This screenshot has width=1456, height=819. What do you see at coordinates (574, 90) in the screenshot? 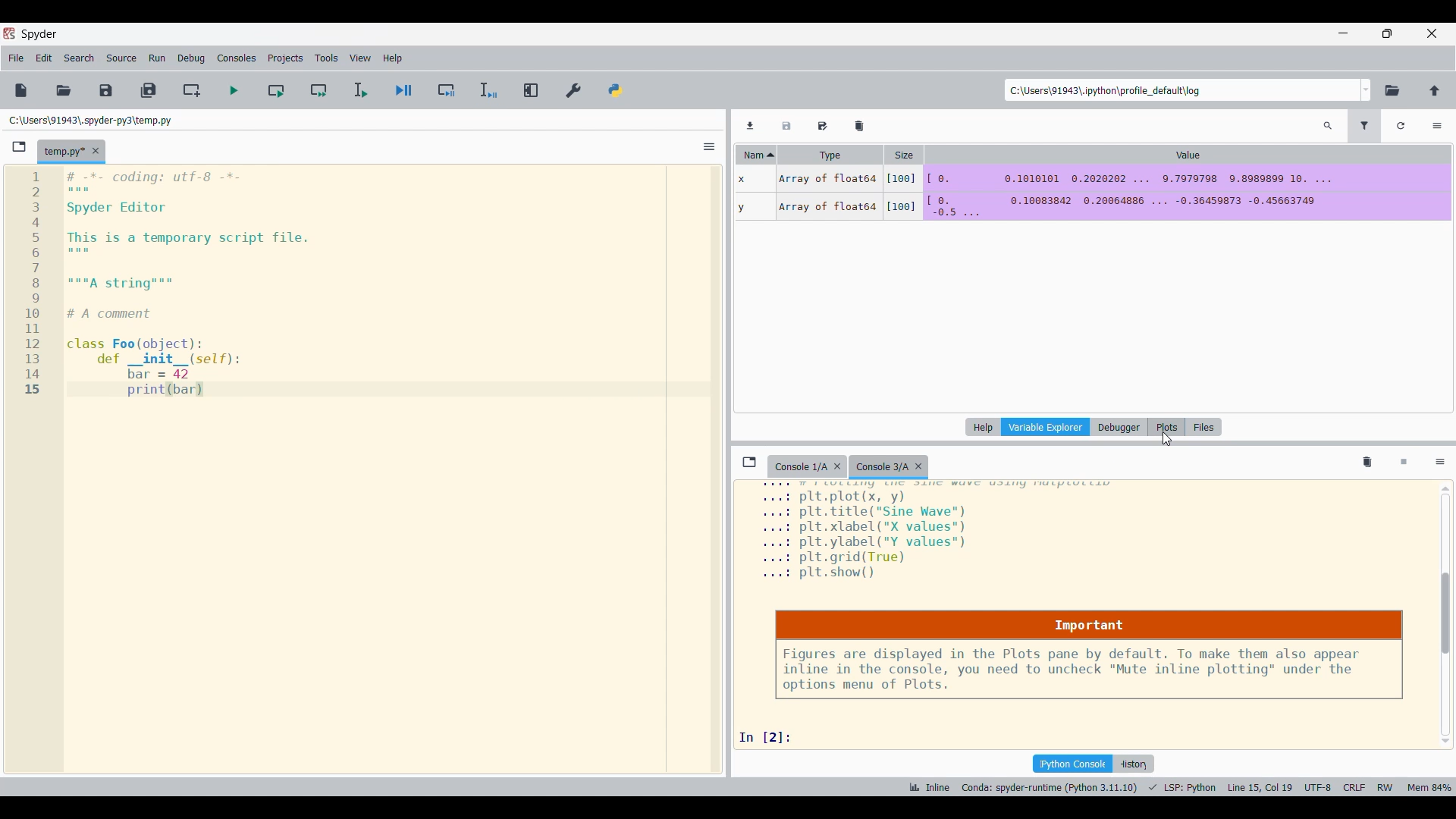
I see `Preferences` at bounding box center [574, 90].